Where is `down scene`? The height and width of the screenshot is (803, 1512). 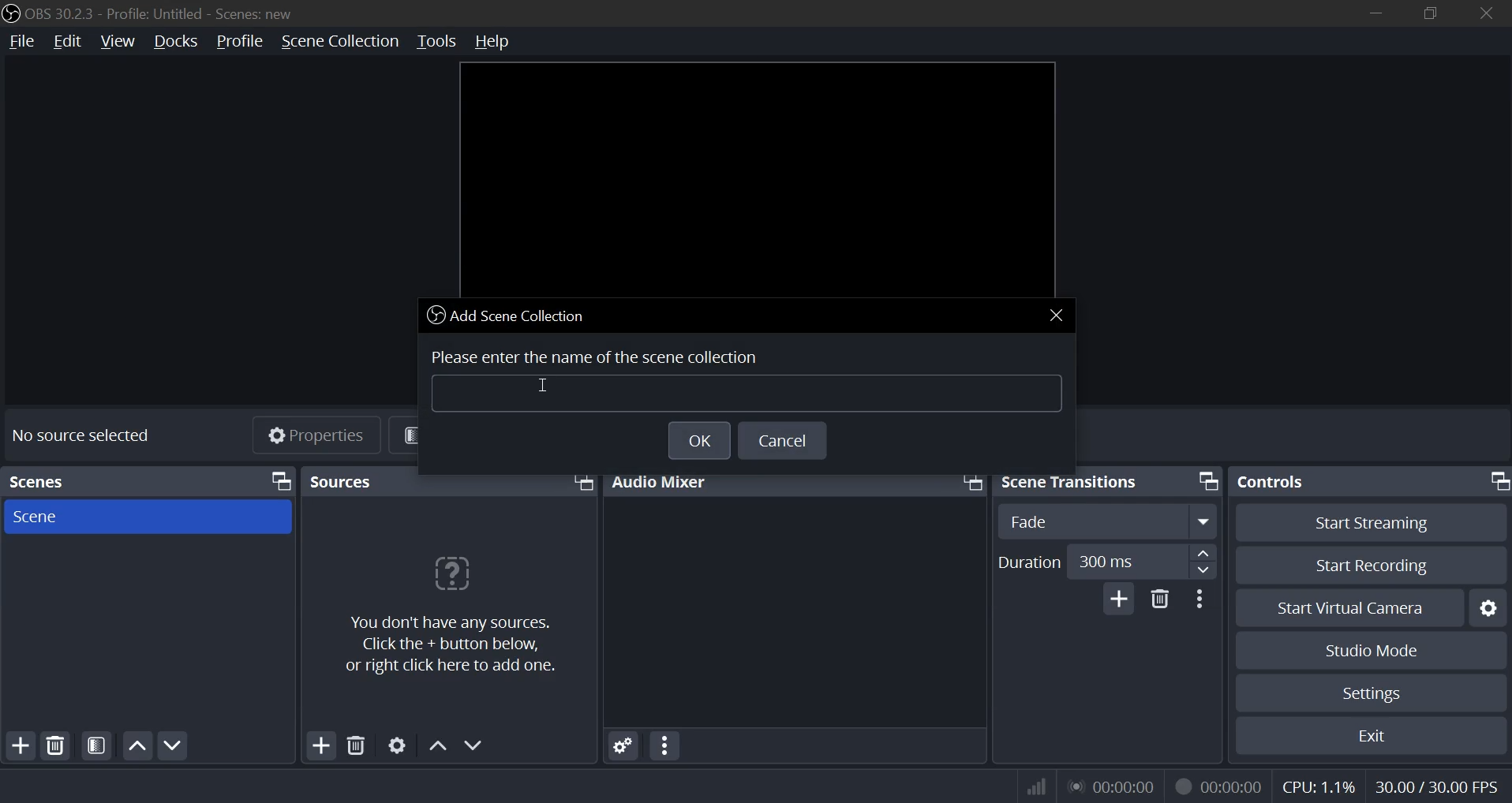
down scene is located at coordinates (176, 745).